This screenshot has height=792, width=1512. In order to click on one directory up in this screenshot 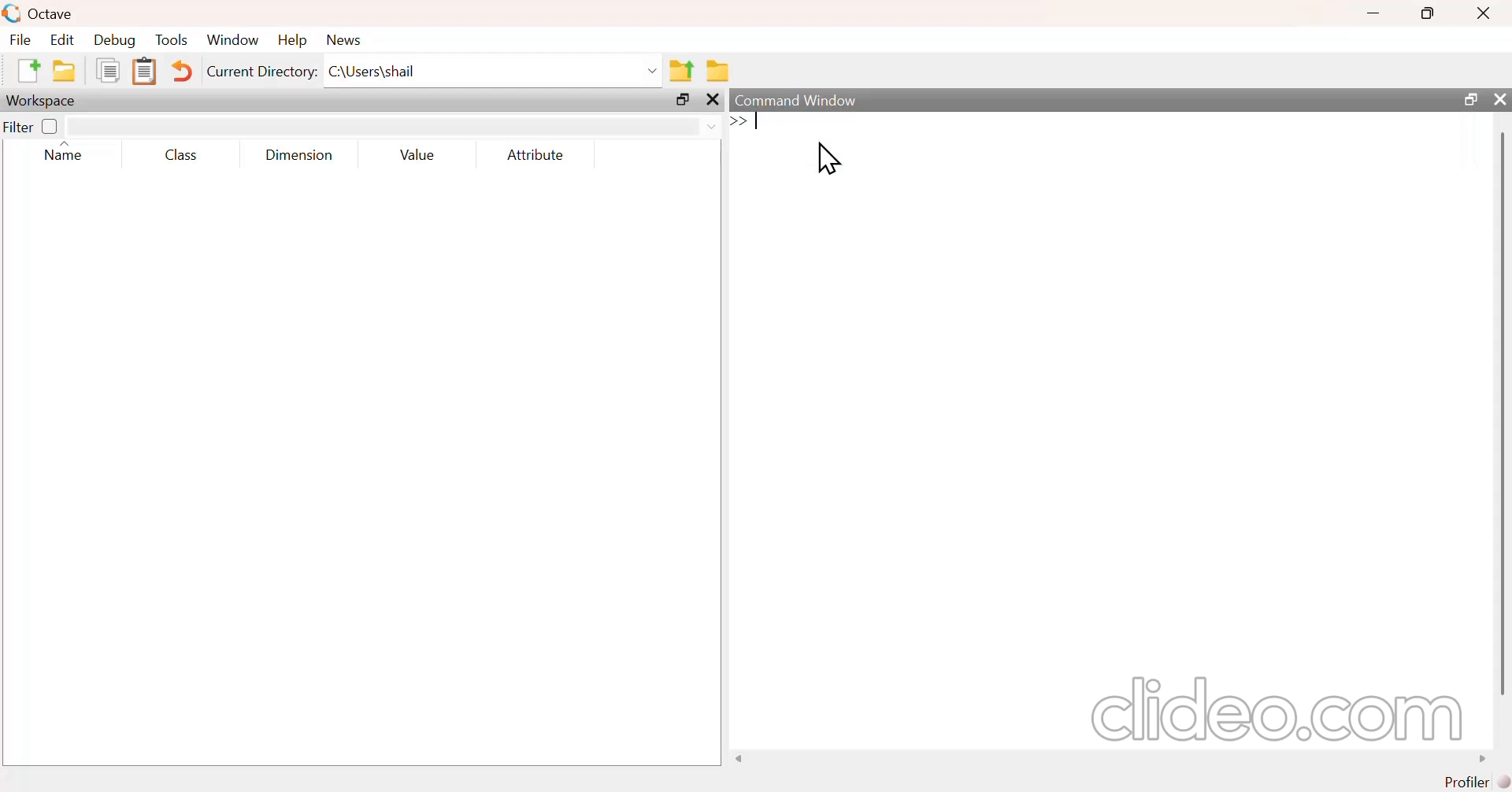, I will do `click(682, 69)`.